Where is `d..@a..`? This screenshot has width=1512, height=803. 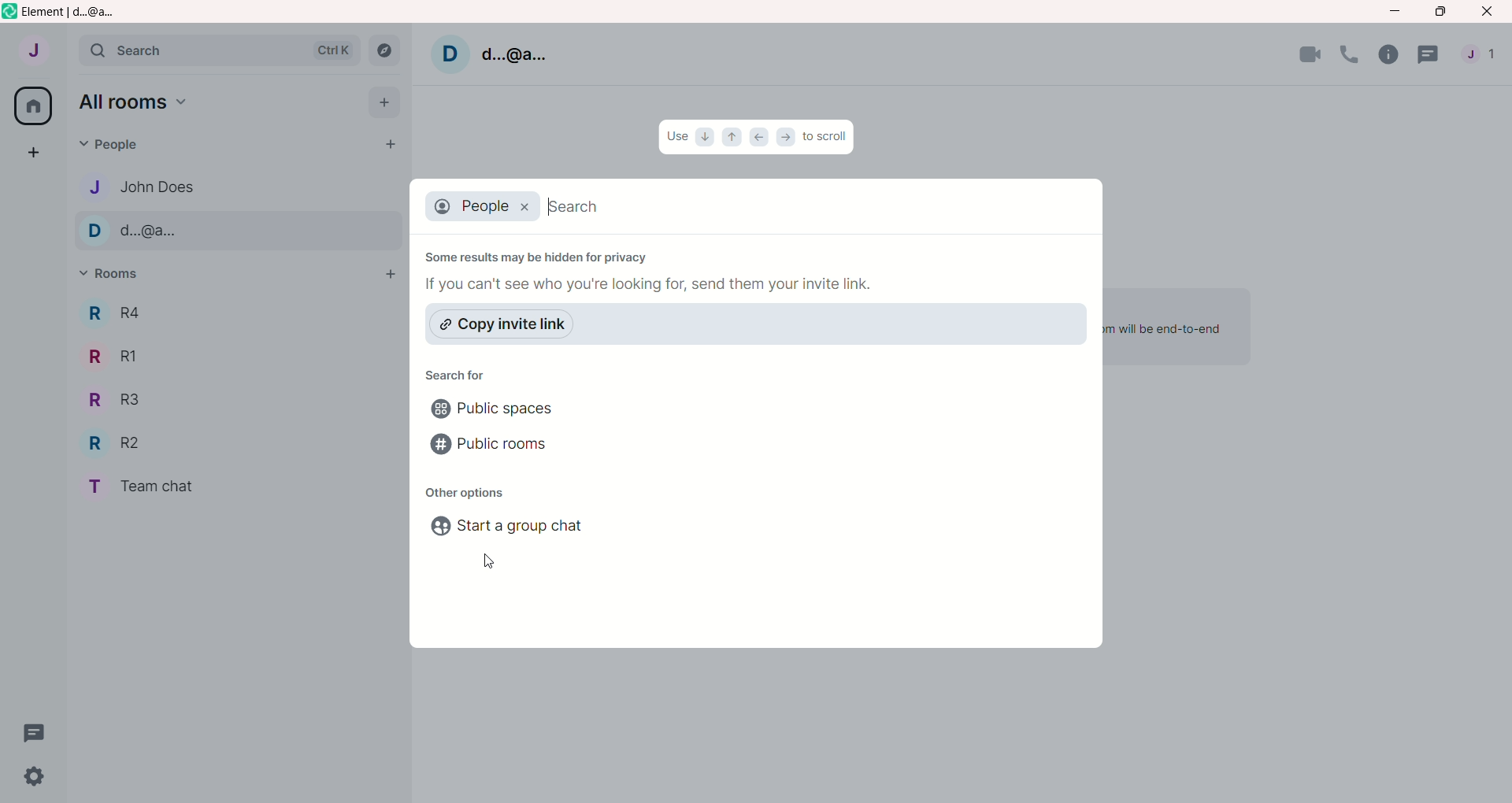
d..@a.. is located at coordinates (513, 52).